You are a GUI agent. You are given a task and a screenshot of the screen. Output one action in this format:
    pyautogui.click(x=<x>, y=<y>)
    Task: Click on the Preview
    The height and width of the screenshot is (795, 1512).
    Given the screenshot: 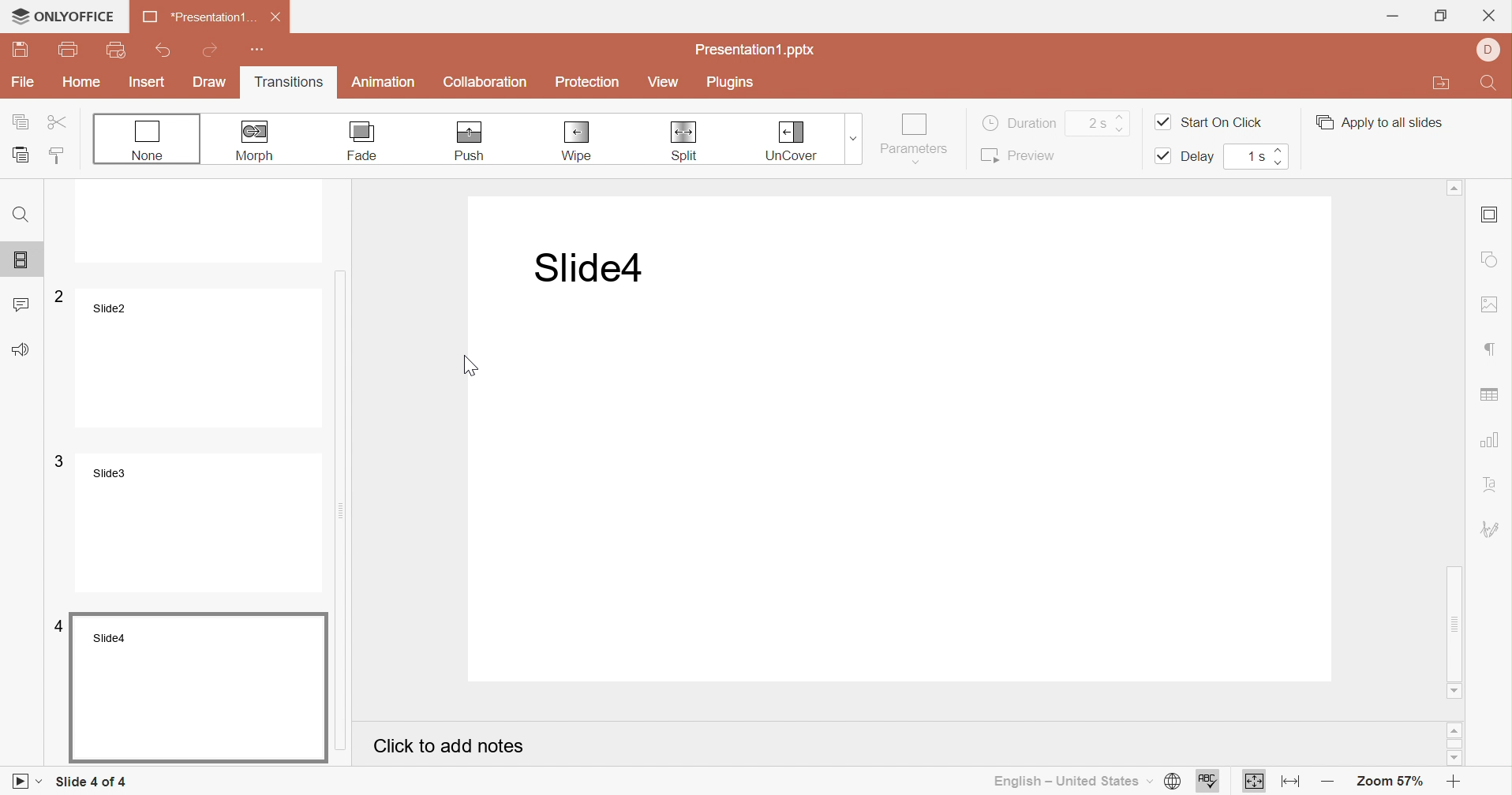 What is the action you would take?
    pyautogui.click(x=1020, y=154)
    